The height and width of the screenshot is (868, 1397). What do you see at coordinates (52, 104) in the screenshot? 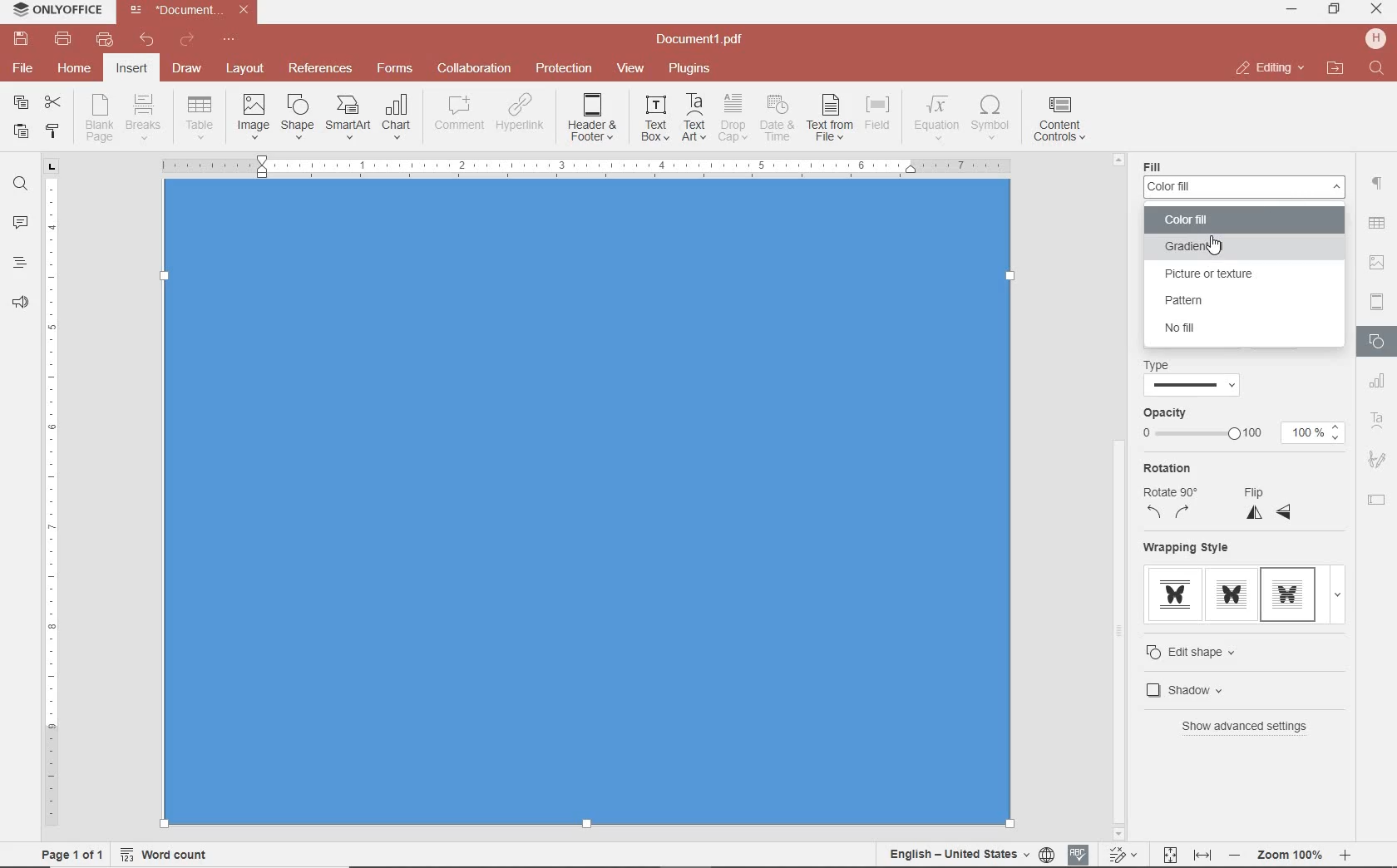
I see `cut` at bounding box center [52, 104].